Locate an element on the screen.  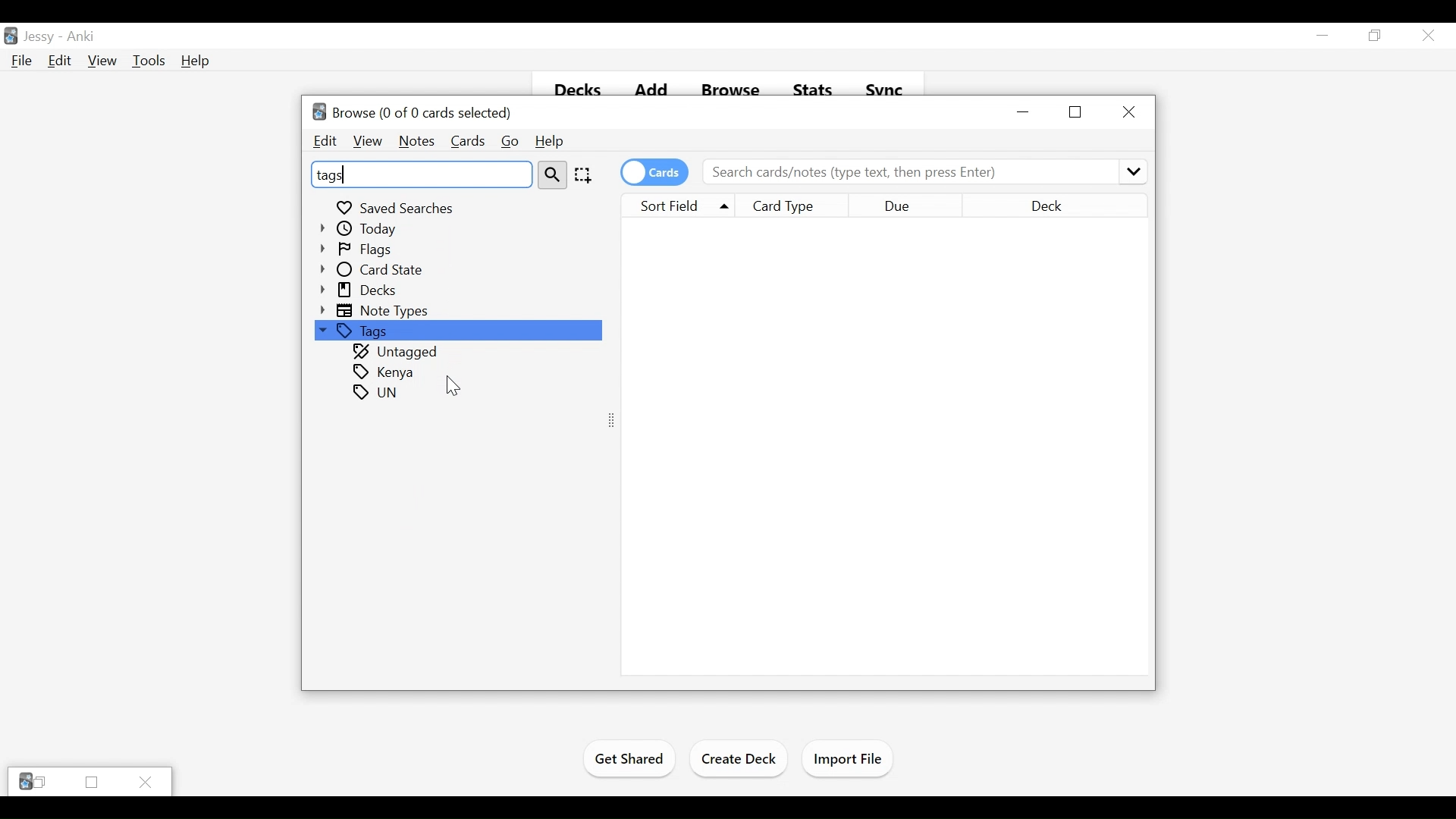
Card Type is located at coordinates (795, 206).